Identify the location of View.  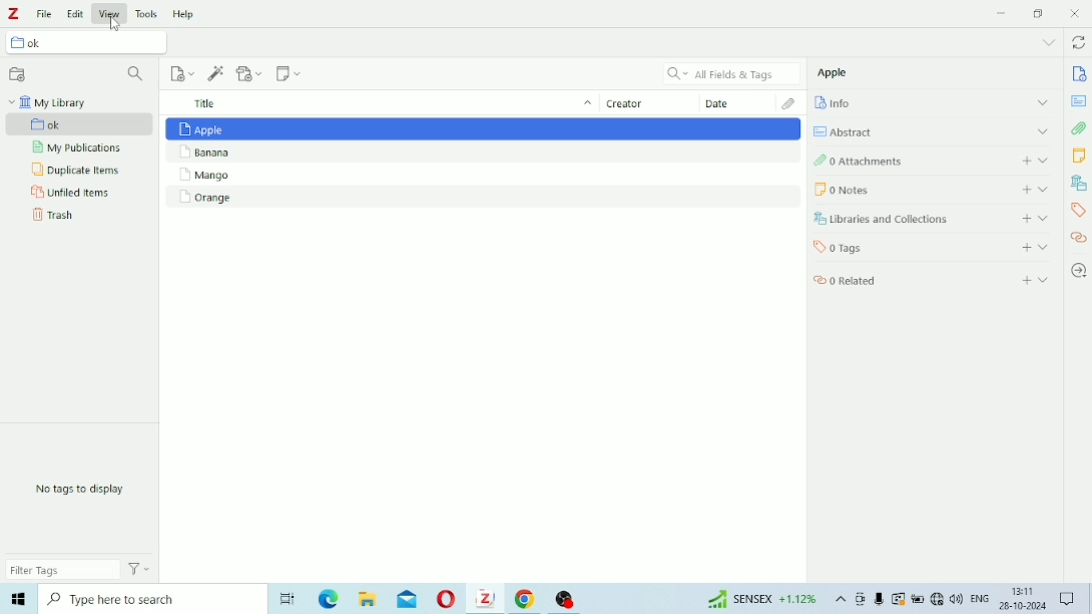
(110, 12).